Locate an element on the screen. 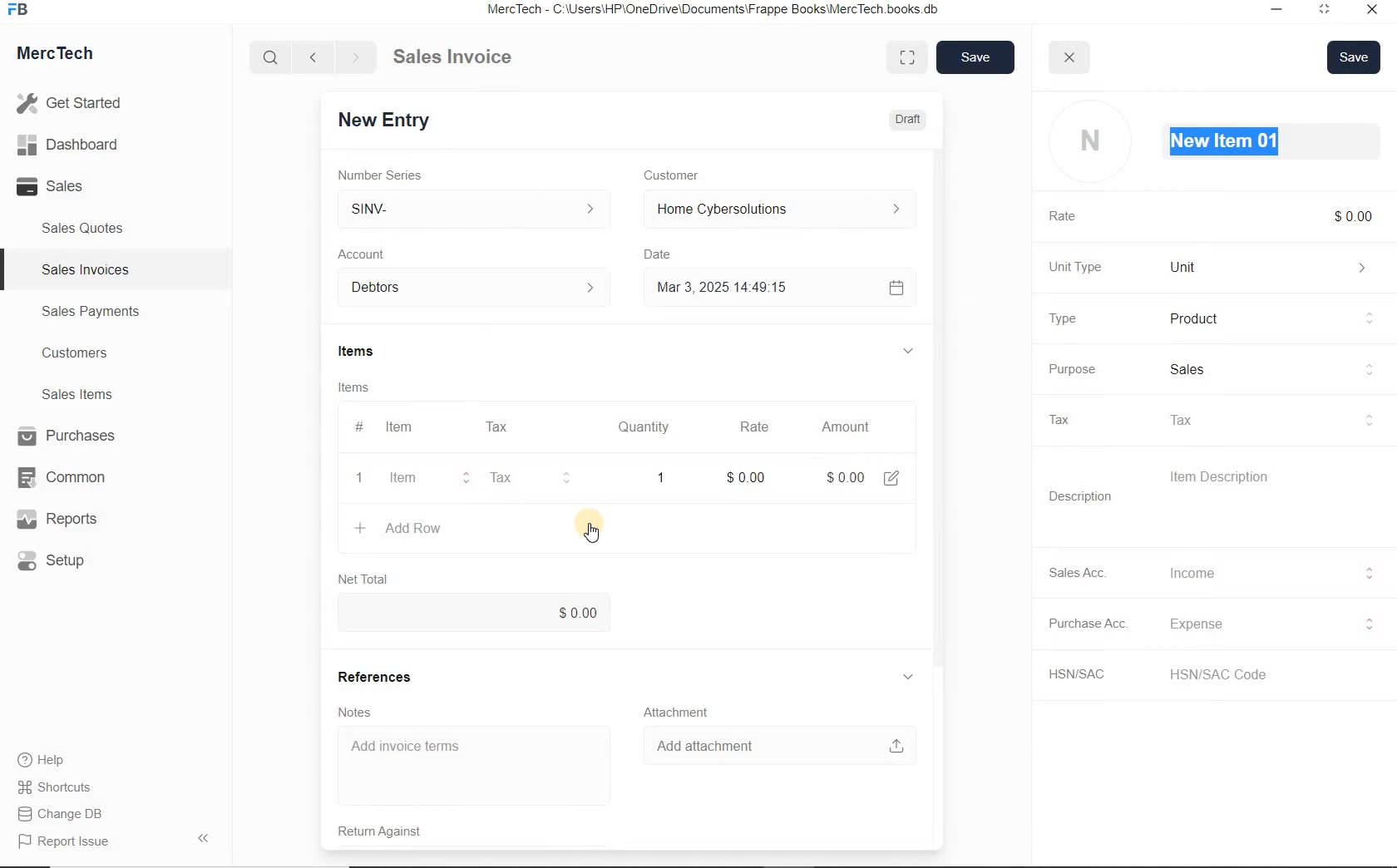 The image size is (1397, 868). HSN/SAC Code is located at coordinates (1234, 673).